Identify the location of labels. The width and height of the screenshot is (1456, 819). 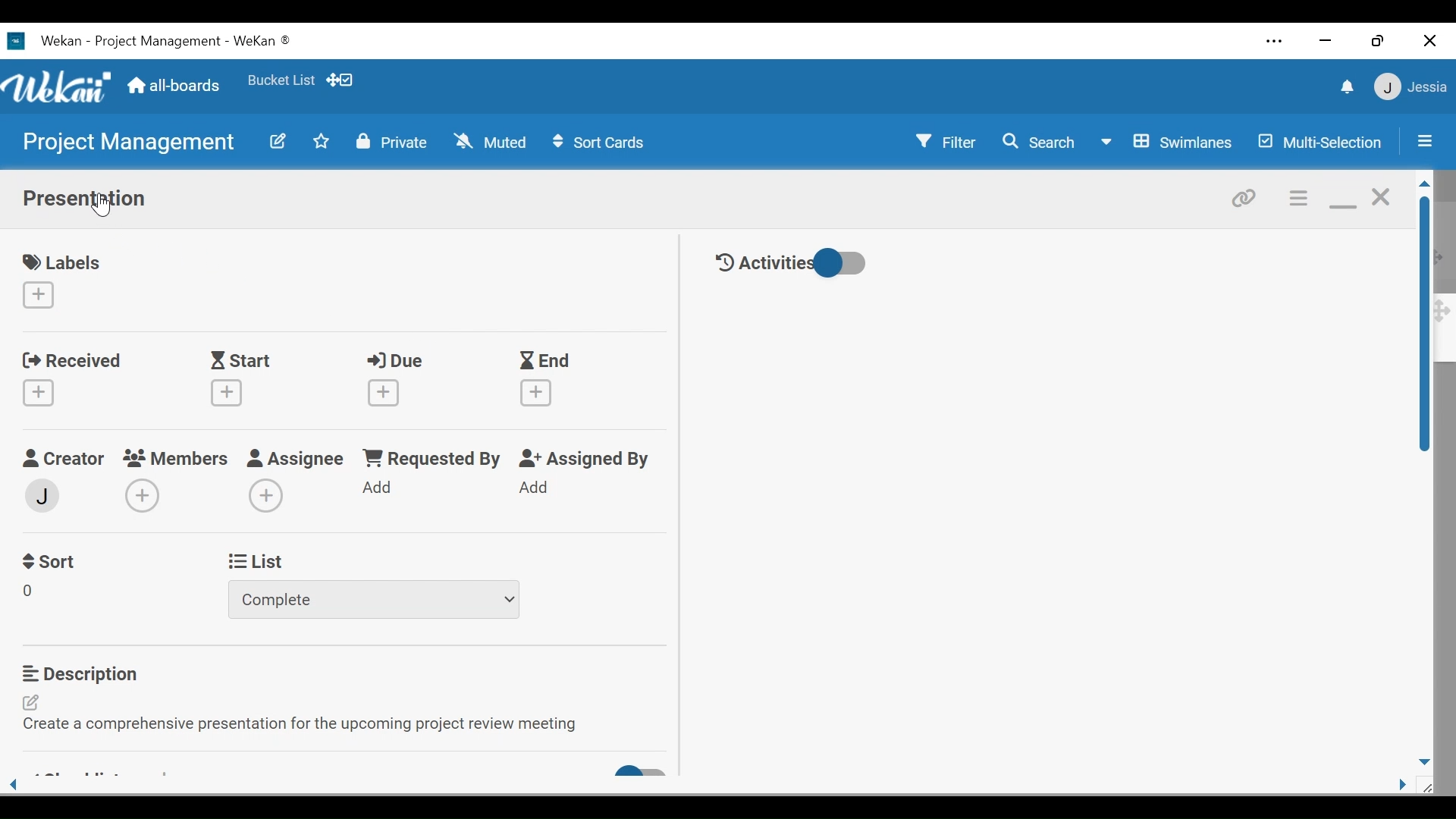
(62, 260).